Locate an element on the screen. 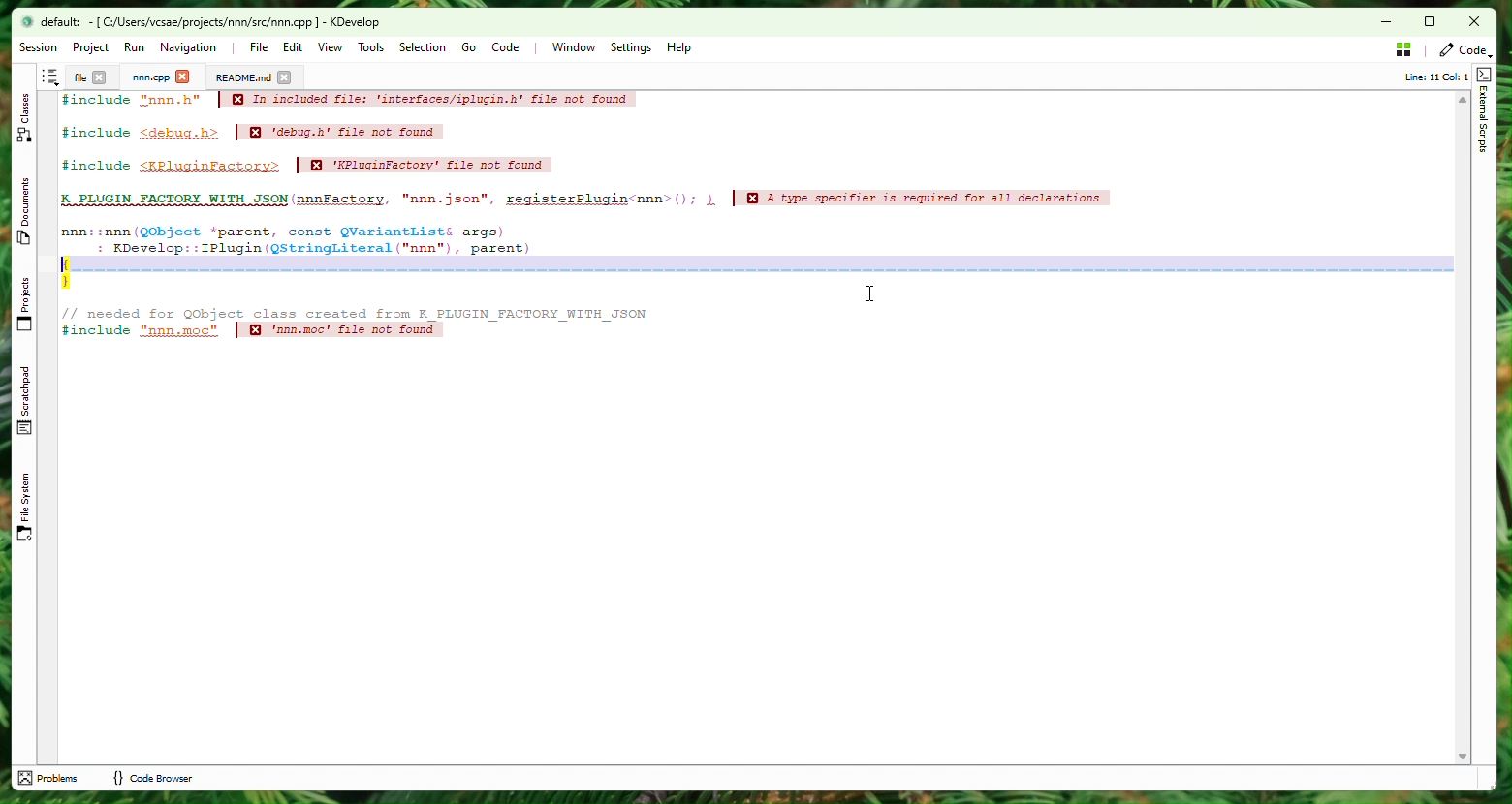 This screenshot has width=1512, height=804. Stash is located at coordinates (1403, 48).